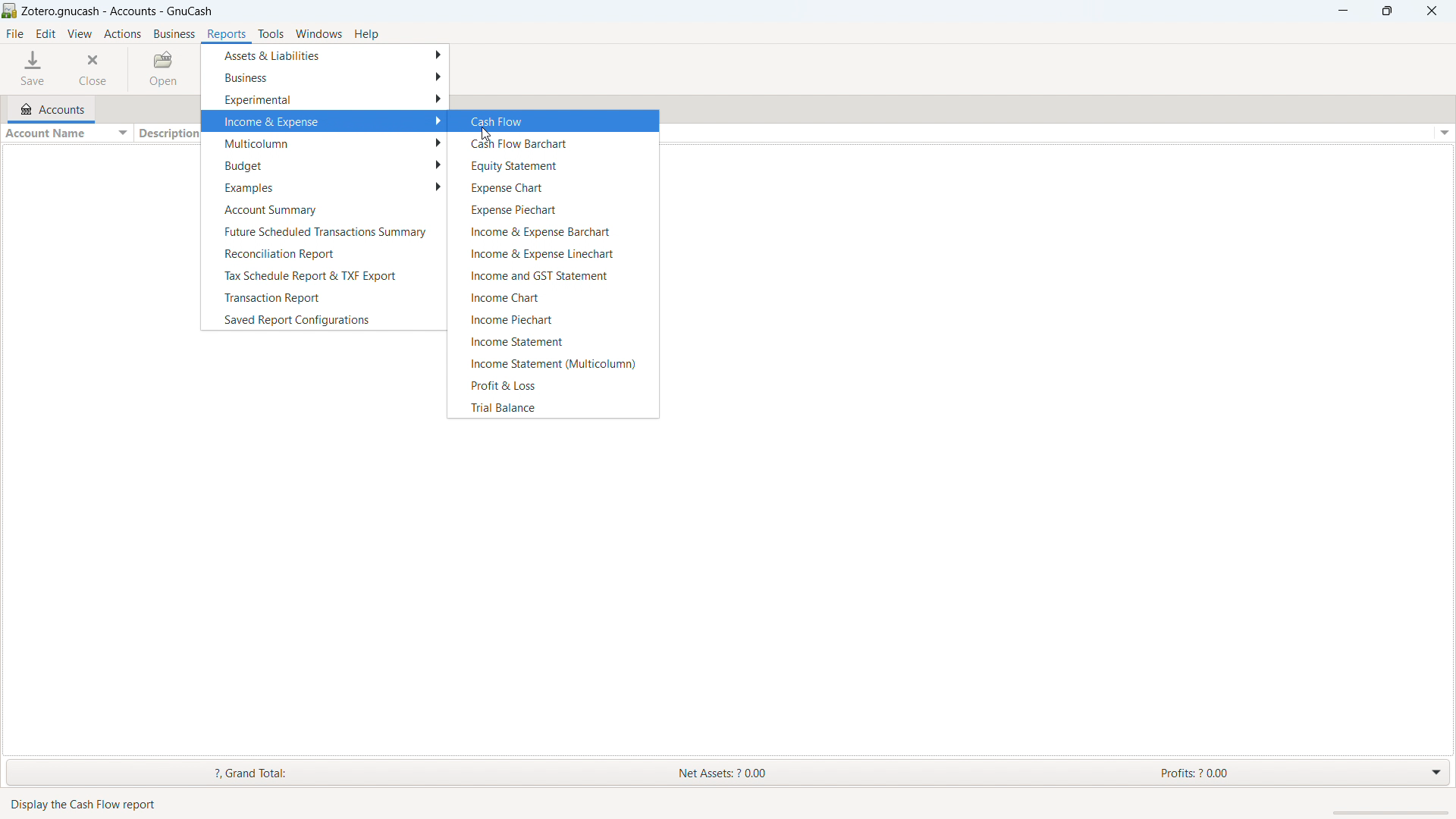 This screenshot has width=1456, height=819. I want to click on expense piechart, so click(553, 208).